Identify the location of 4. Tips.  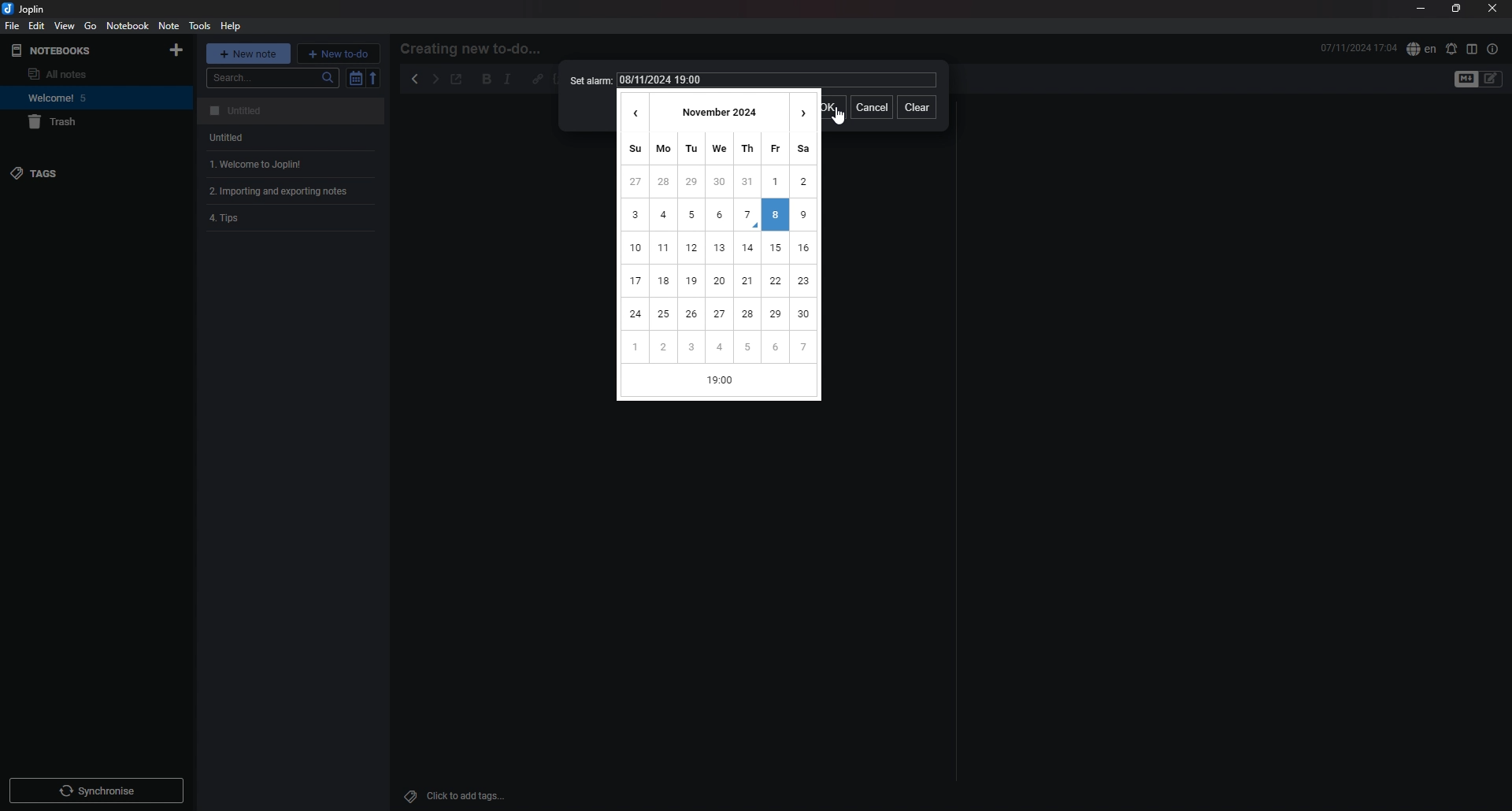
(274, 220).